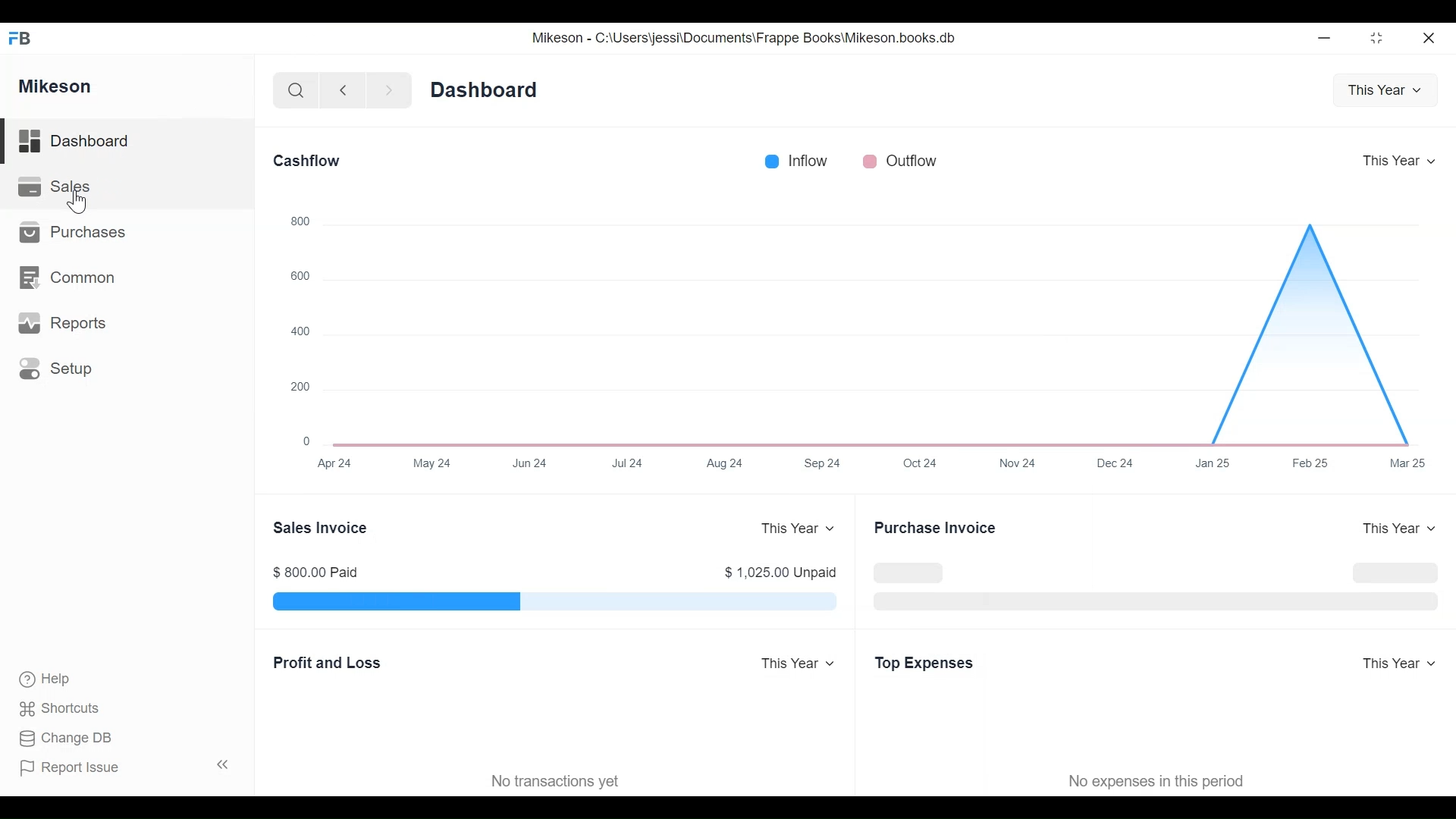  I want to click on Minimize, so click(1324, 40).